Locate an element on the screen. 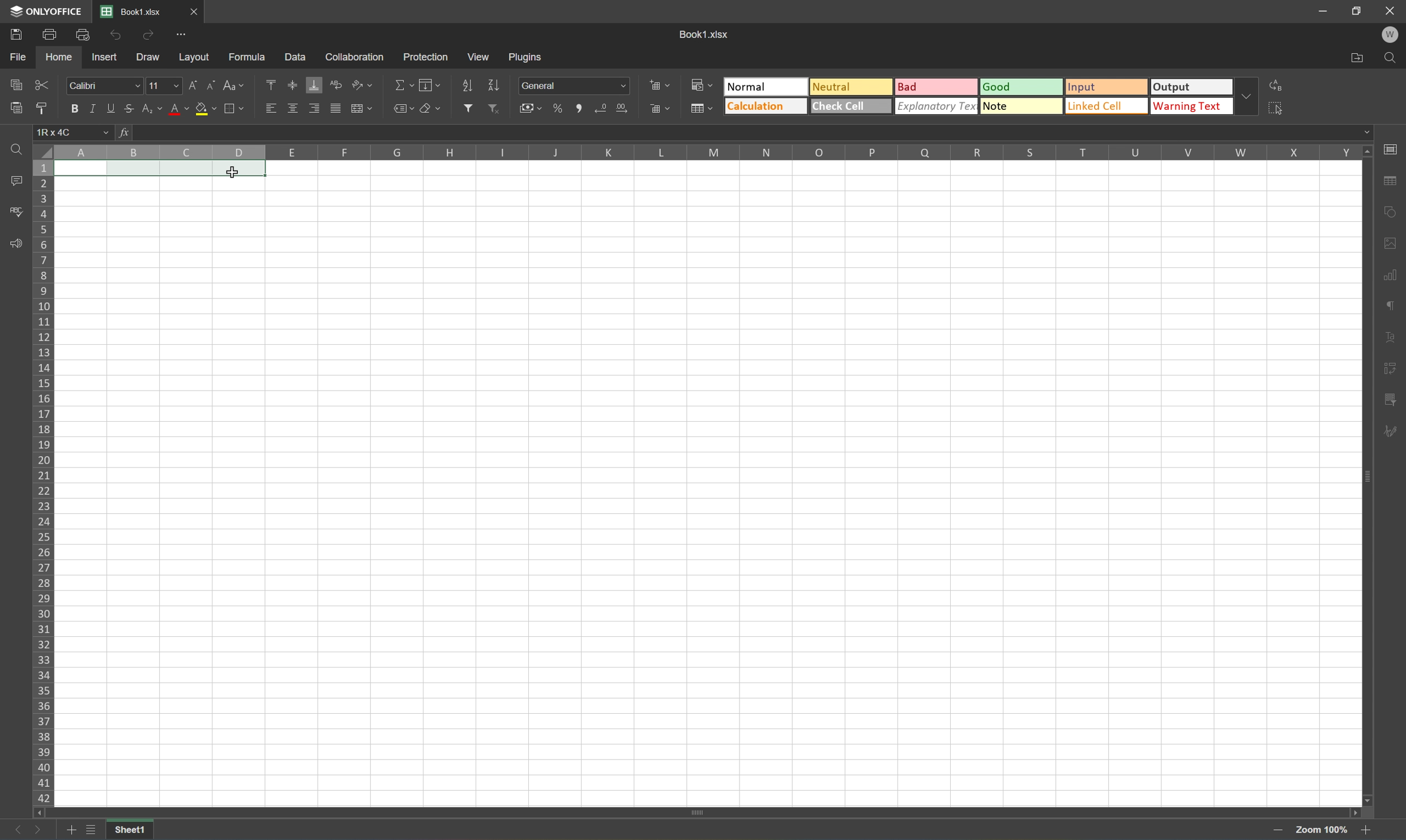 The height and width of the screenshot is (840, 1406). Bold is located at coordinates (73, 107).